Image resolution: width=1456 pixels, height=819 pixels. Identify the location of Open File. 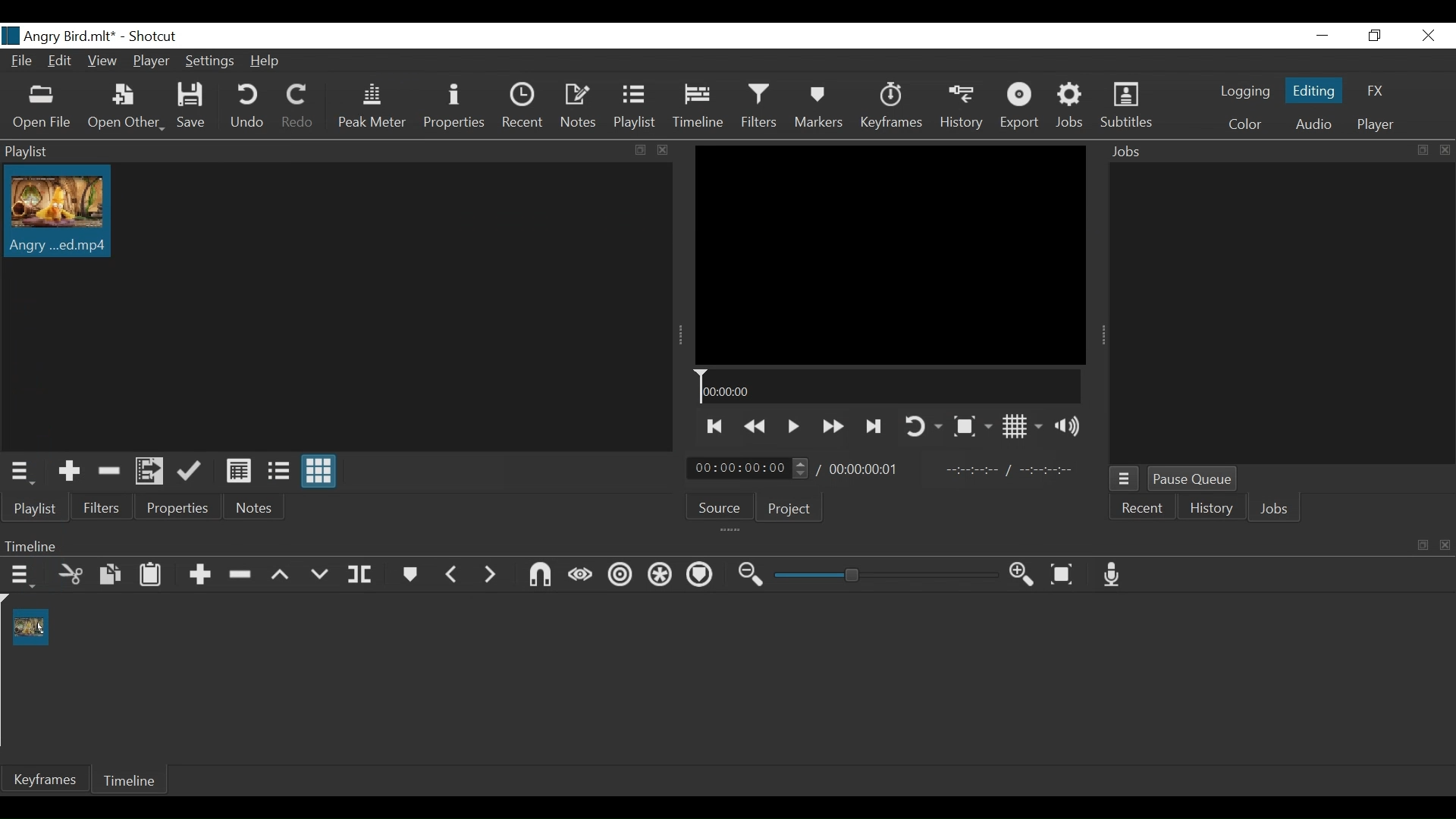
(42, 109).